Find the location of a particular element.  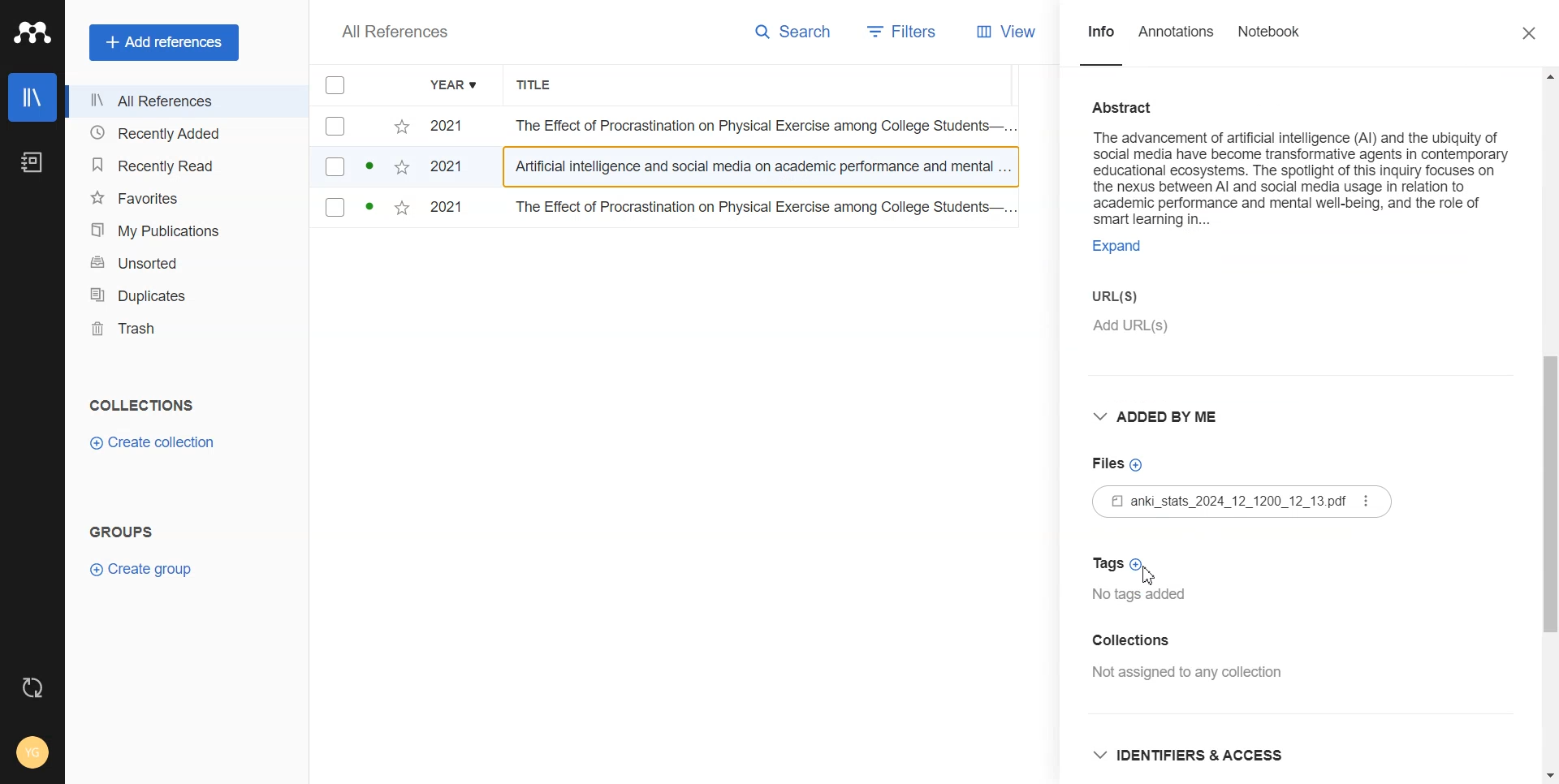

View is located at coordinates (1014, 32).